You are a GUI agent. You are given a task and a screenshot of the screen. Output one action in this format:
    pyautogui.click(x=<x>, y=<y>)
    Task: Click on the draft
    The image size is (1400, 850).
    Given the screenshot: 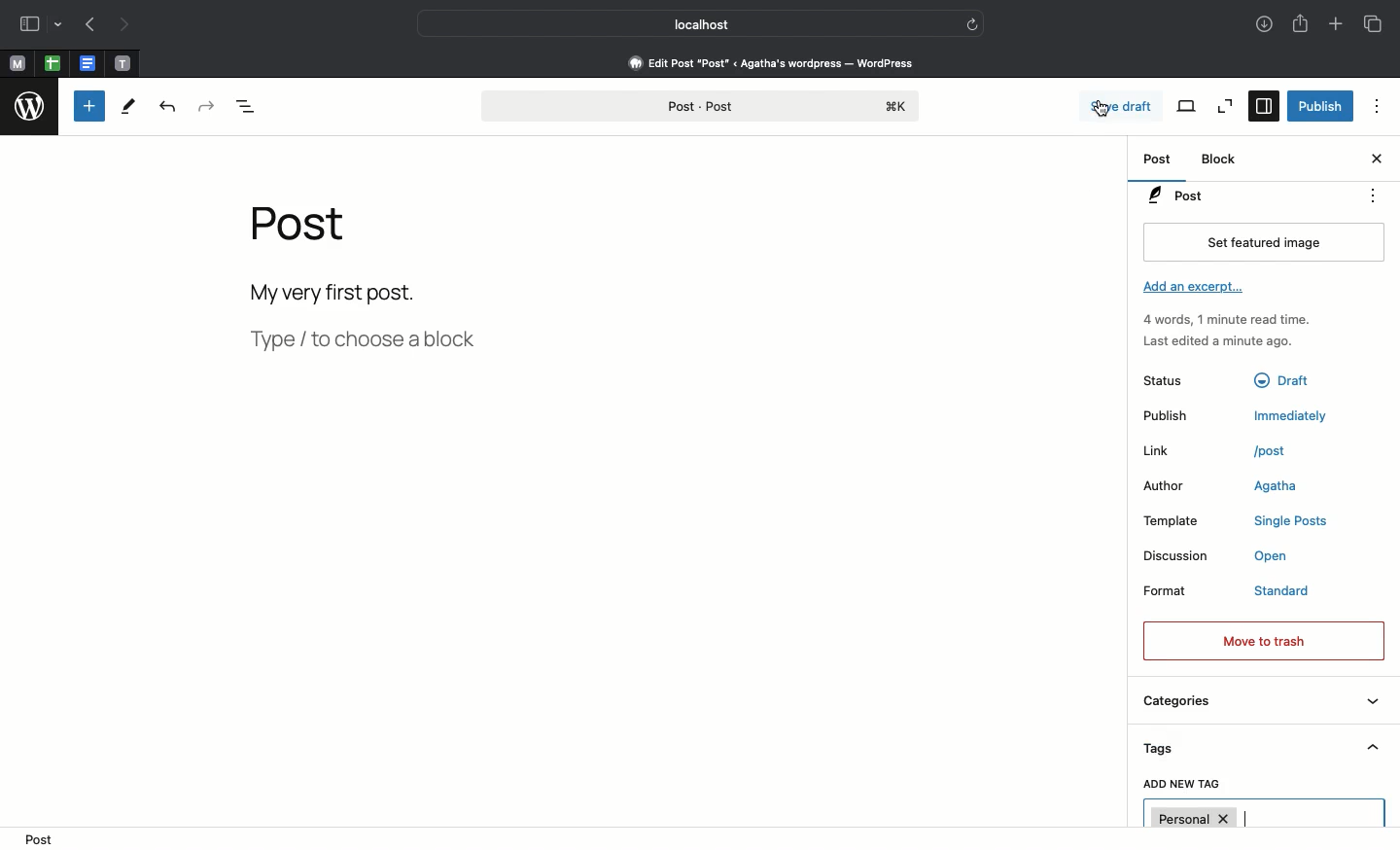 What is the action you would take?
    pyautogui.click(x=1280, y=380)
    